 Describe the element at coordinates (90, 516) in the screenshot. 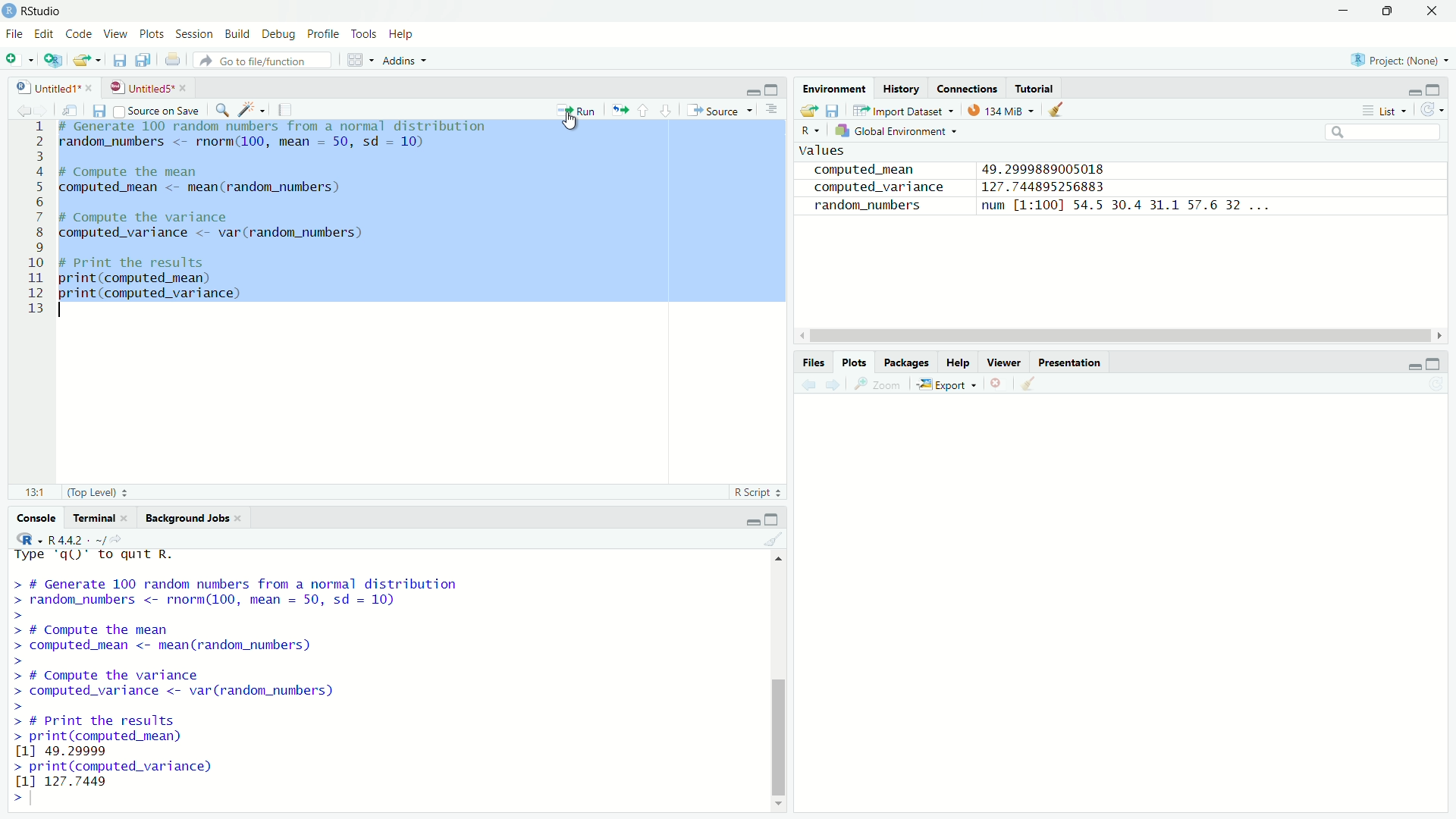

I see `terminal` at that location.